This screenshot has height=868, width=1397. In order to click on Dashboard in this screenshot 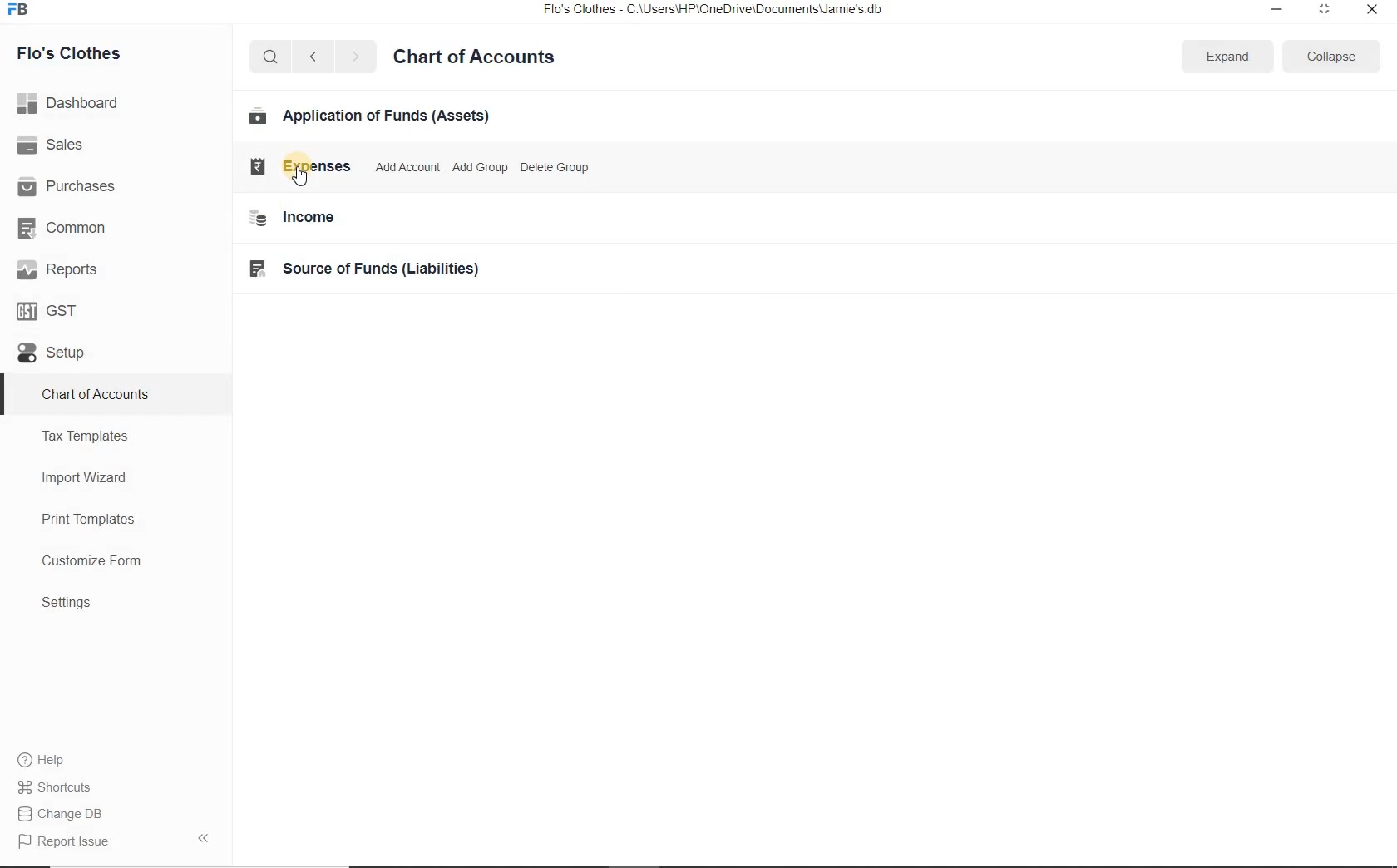, I will do `click(72, 101)`.